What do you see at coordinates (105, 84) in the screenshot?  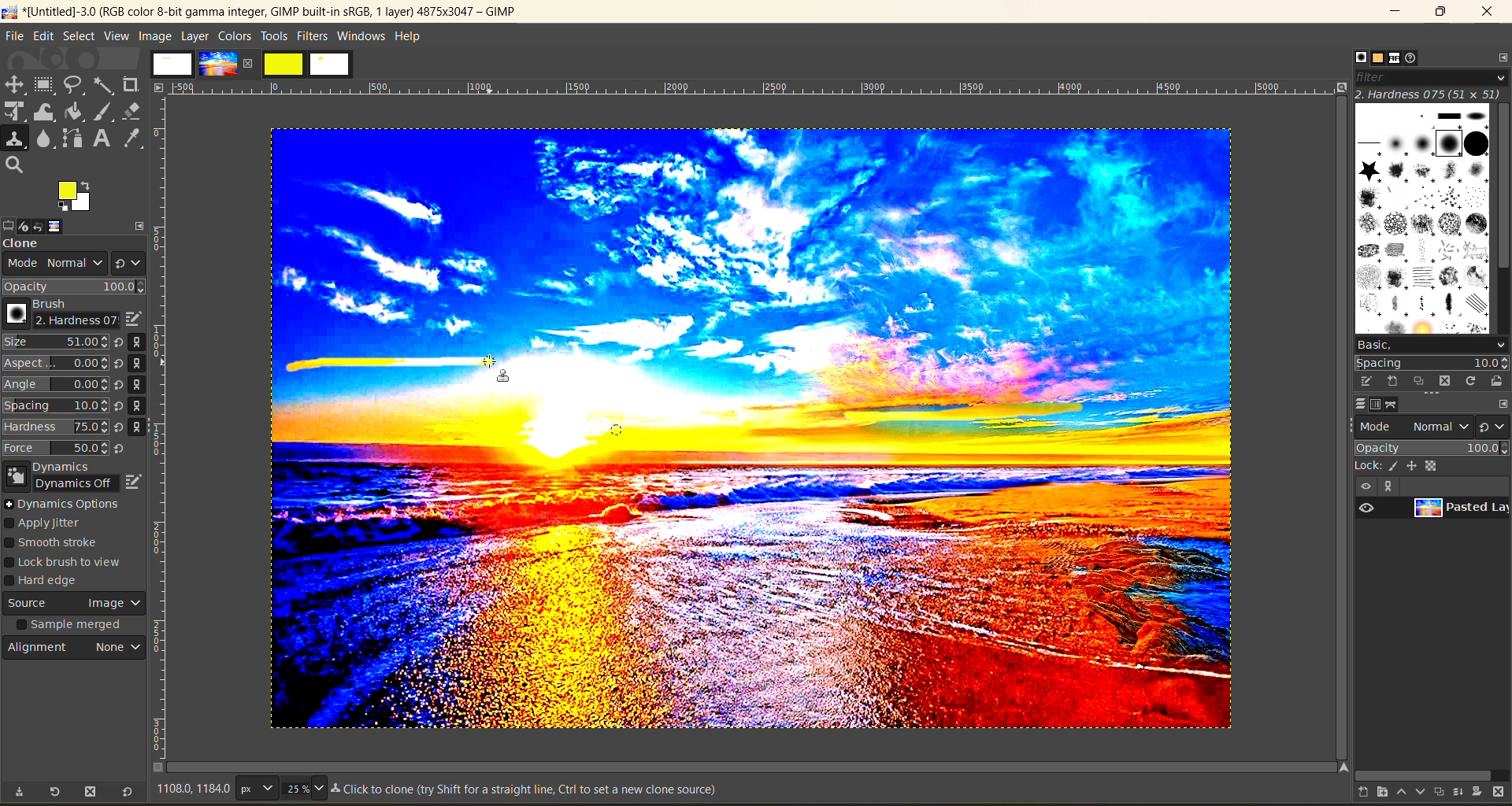 I see `fuzzy text` at bounding box center [105, 84].